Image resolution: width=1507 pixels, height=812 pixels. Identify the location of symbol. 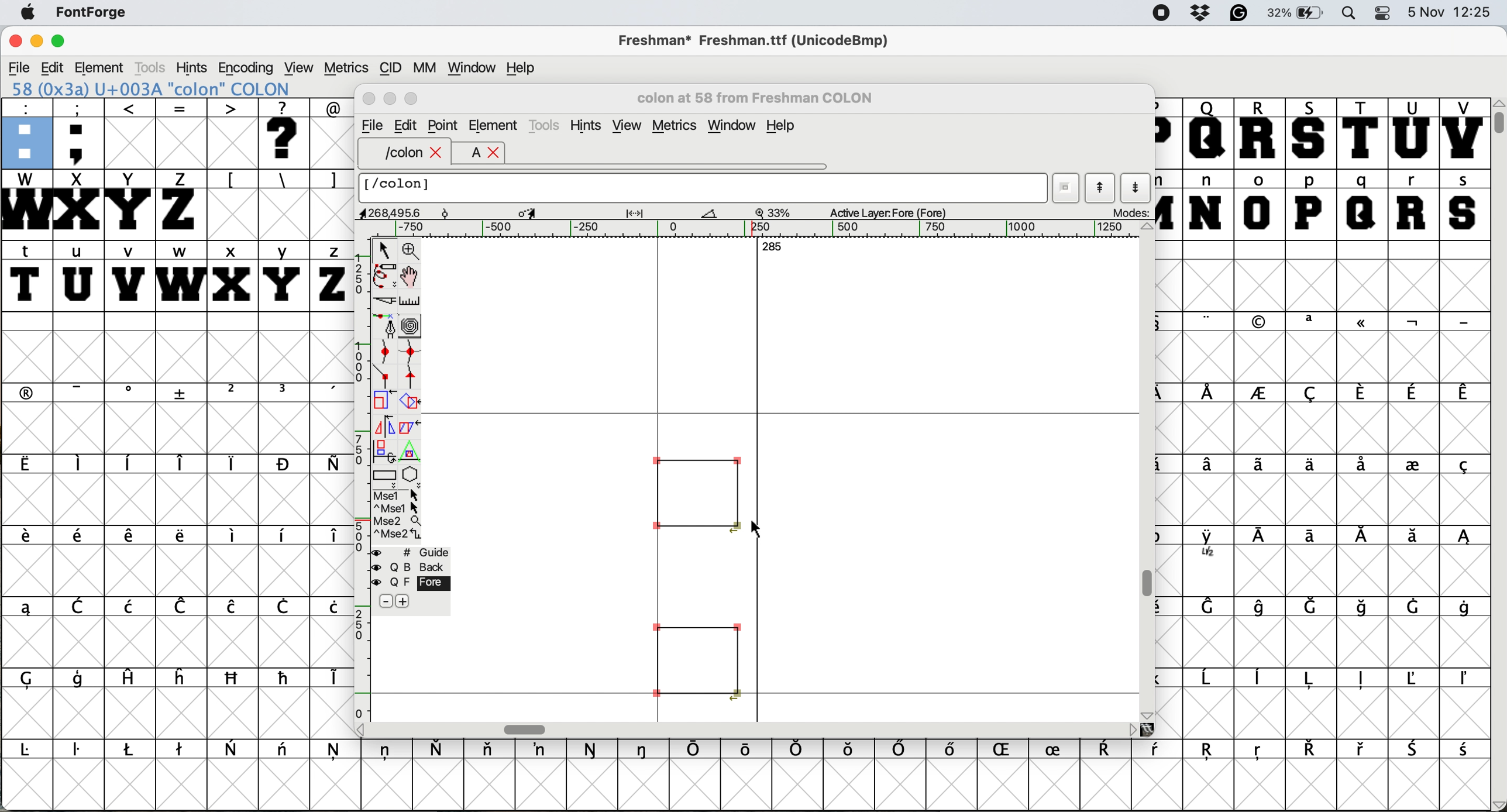
(1209, 680).